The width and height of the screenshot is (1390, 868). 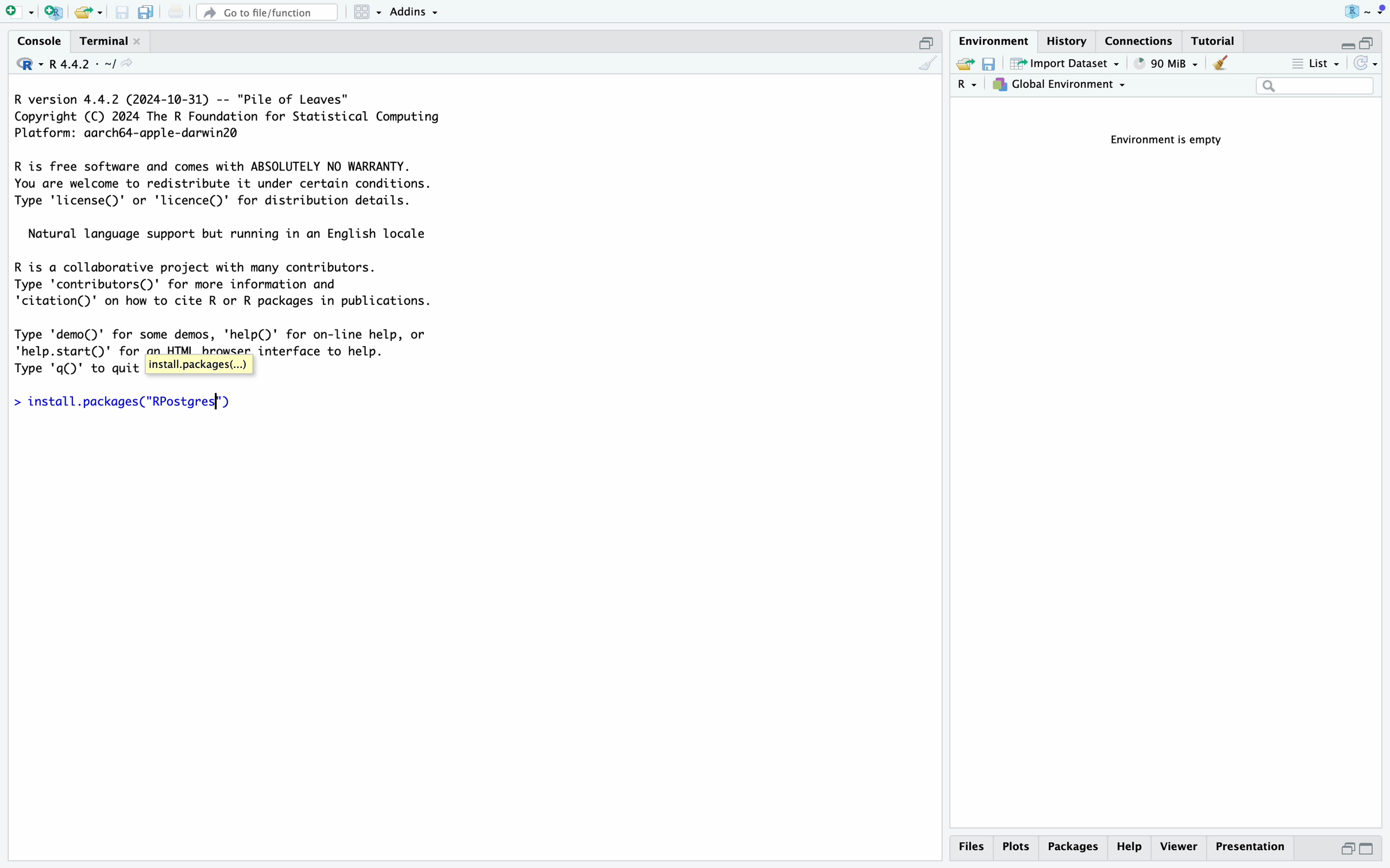 I want to click on tutorial, so click(x=1216, y=40).